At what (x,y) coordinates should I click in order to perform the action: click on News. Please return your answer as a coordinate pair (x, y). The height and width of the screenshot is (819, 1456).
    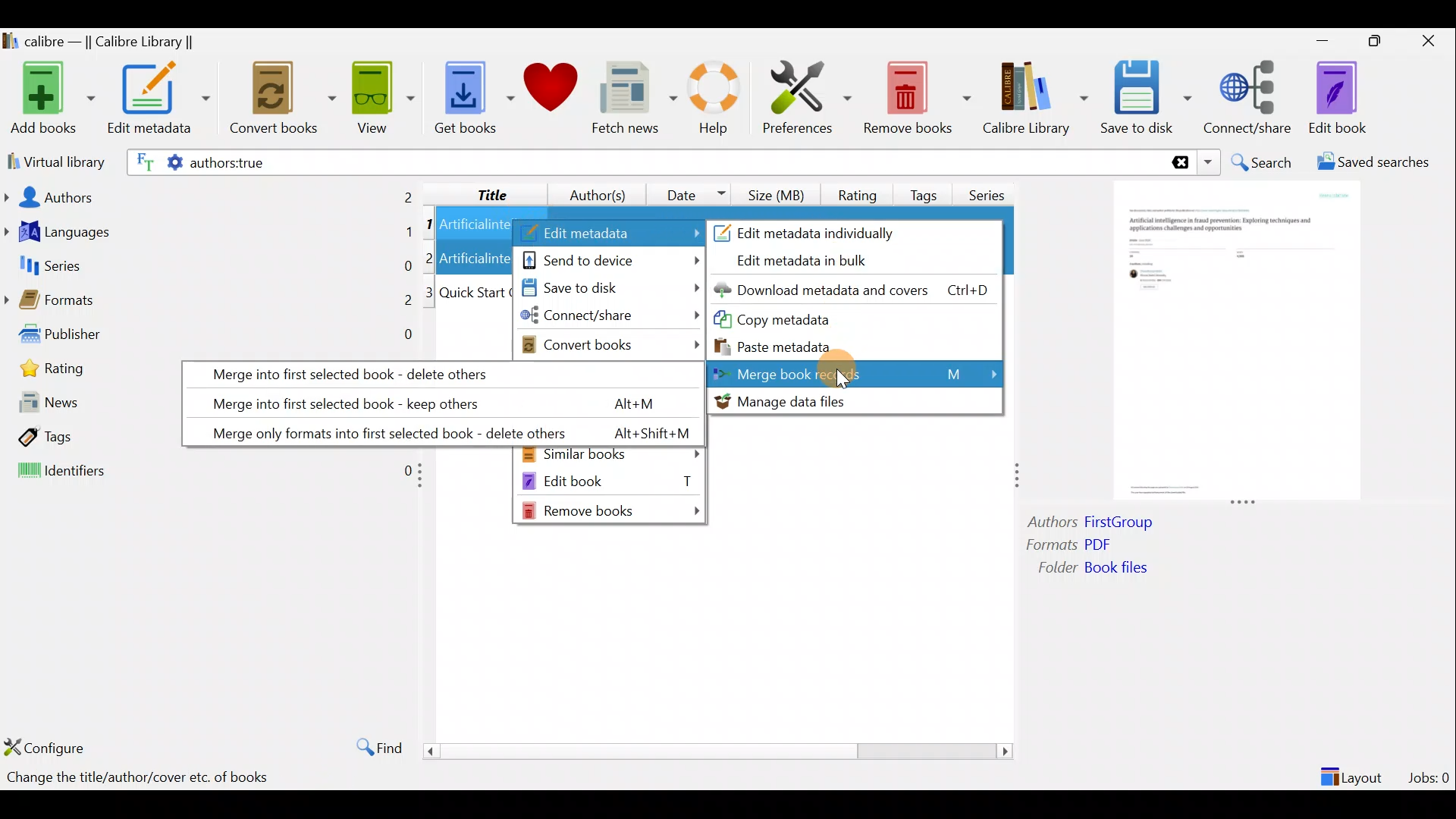
    Looking at the image, I should click on (87, 406).